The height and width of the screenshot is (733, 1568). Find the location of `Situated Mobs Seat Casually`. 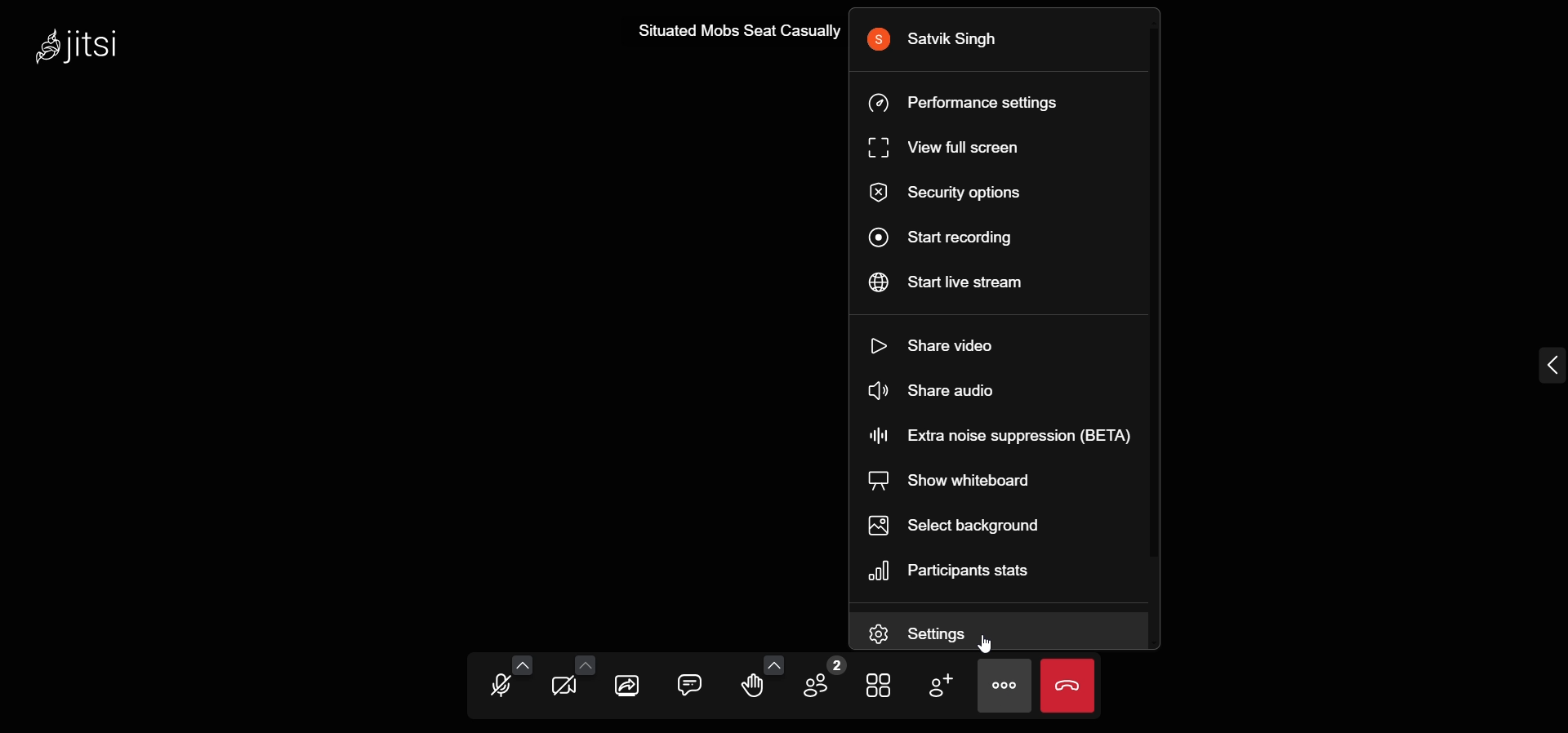

Situated Mobs Seat Casually is located at coordinates (734, 30).